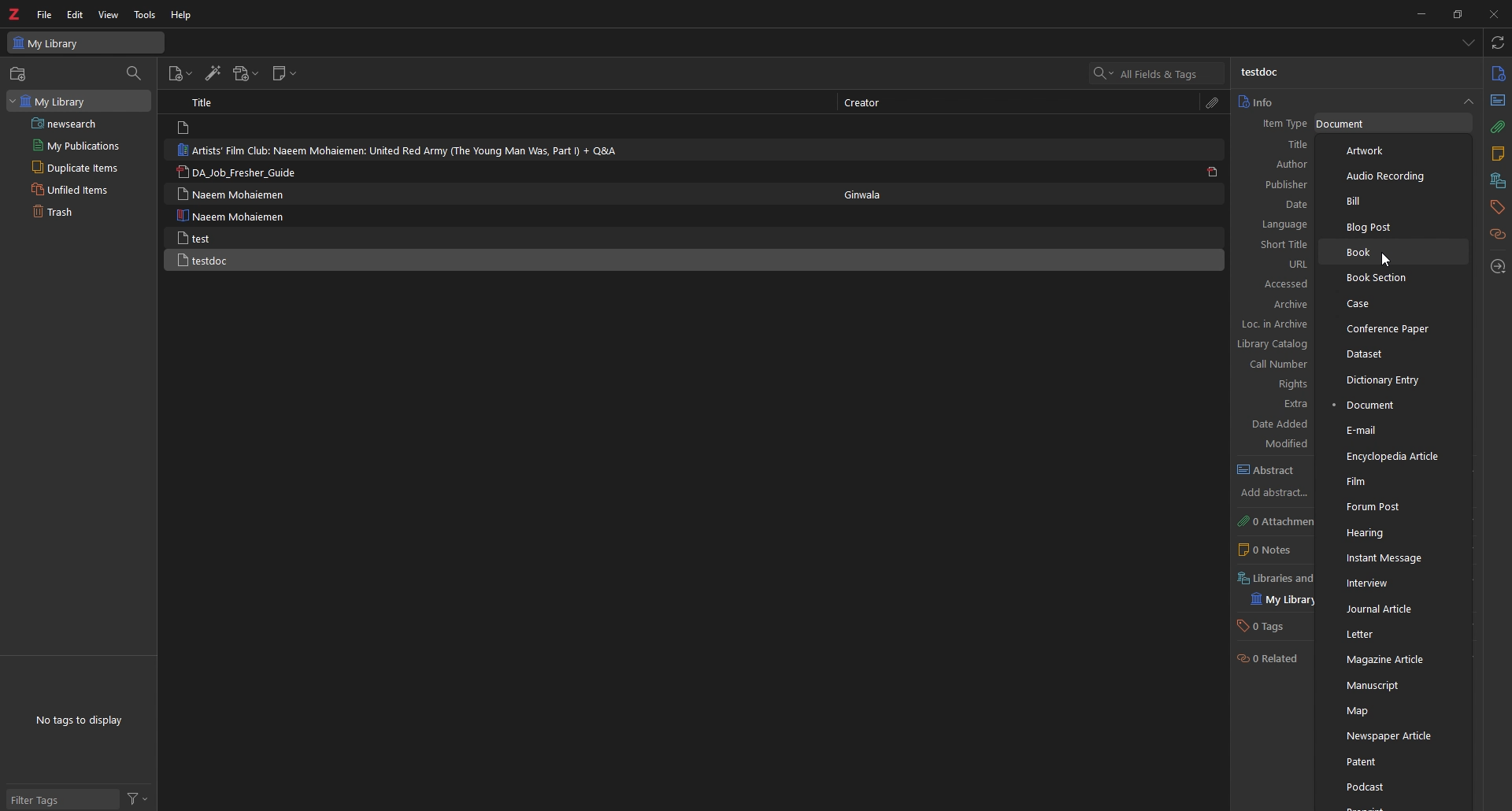  Describe the element at coordinates (182, 15) in the screenshot. I see `help` at that location.